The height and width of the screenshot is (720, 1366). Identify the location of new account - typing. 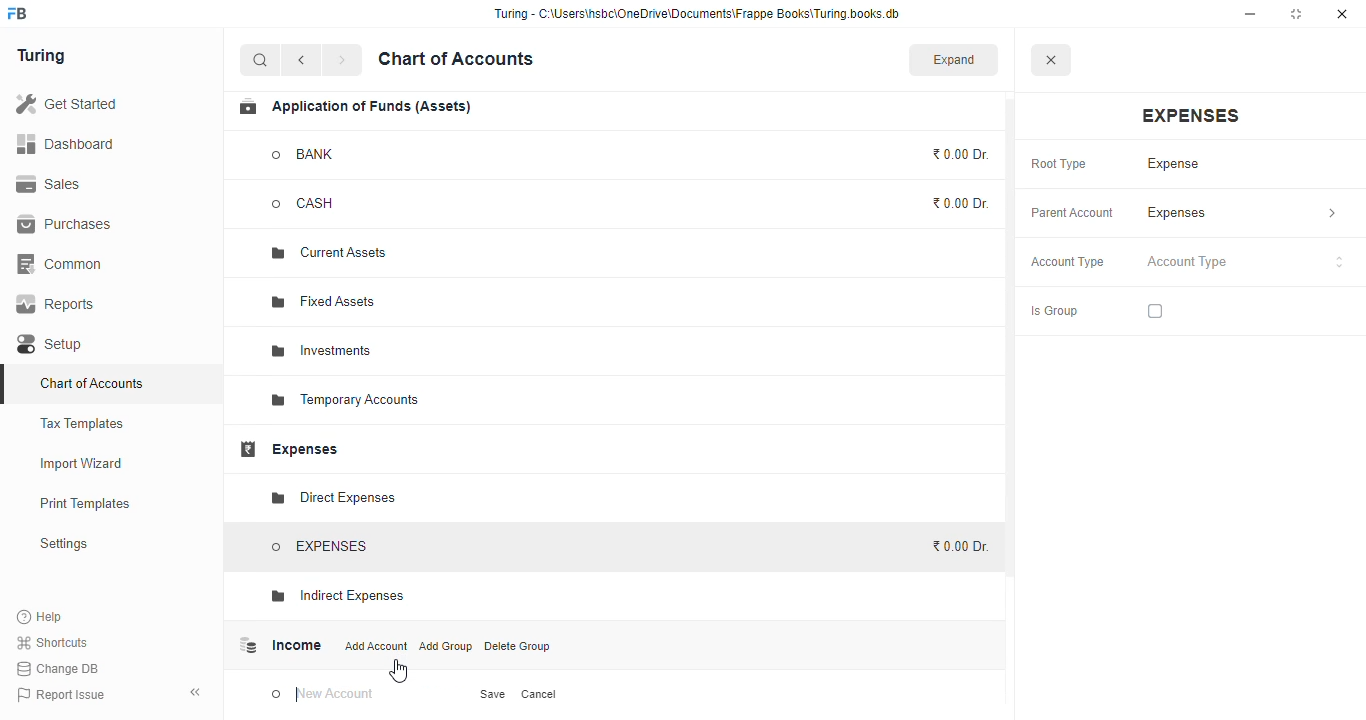
(323, 693).